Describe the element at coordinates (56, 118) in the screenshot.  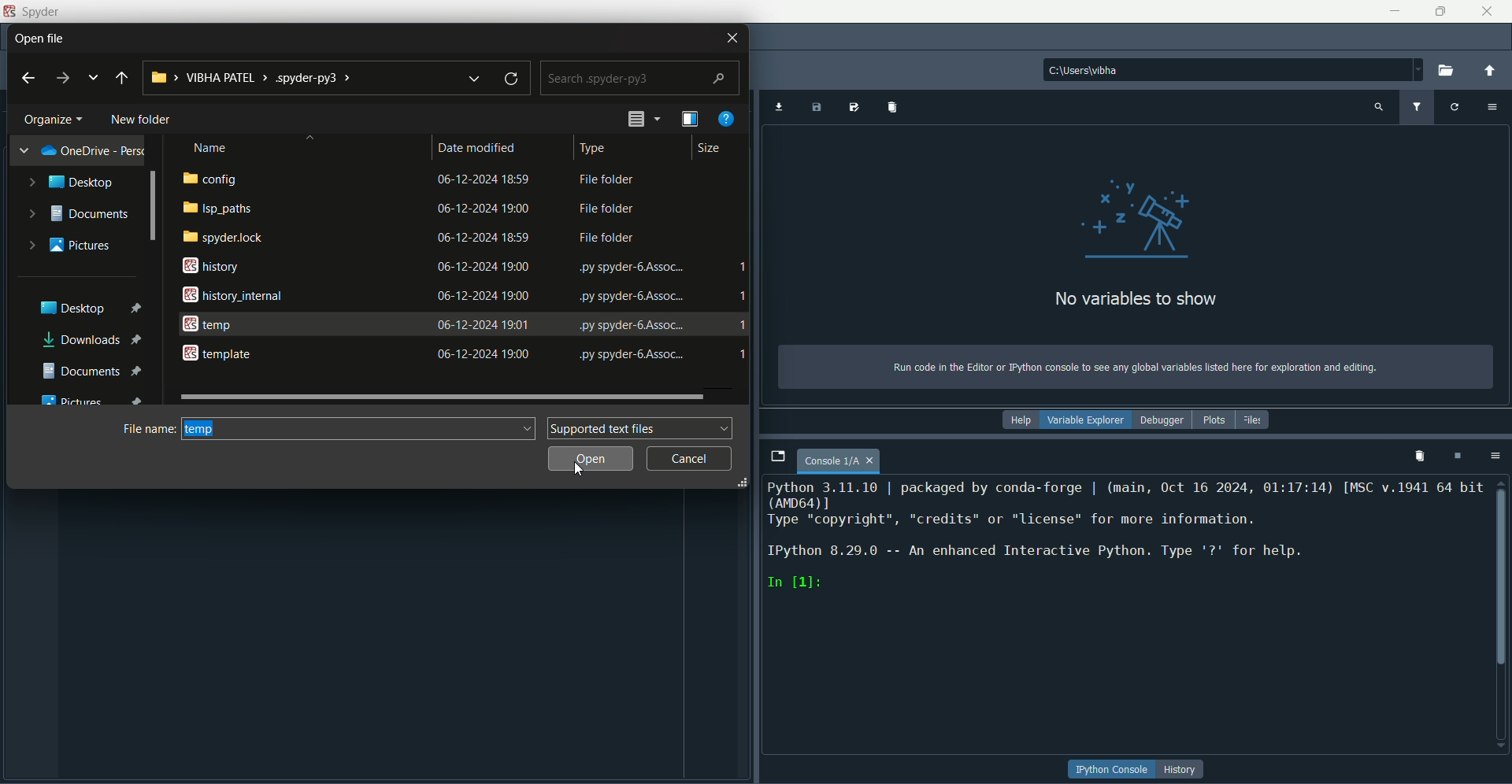
I see `organize` at that location.